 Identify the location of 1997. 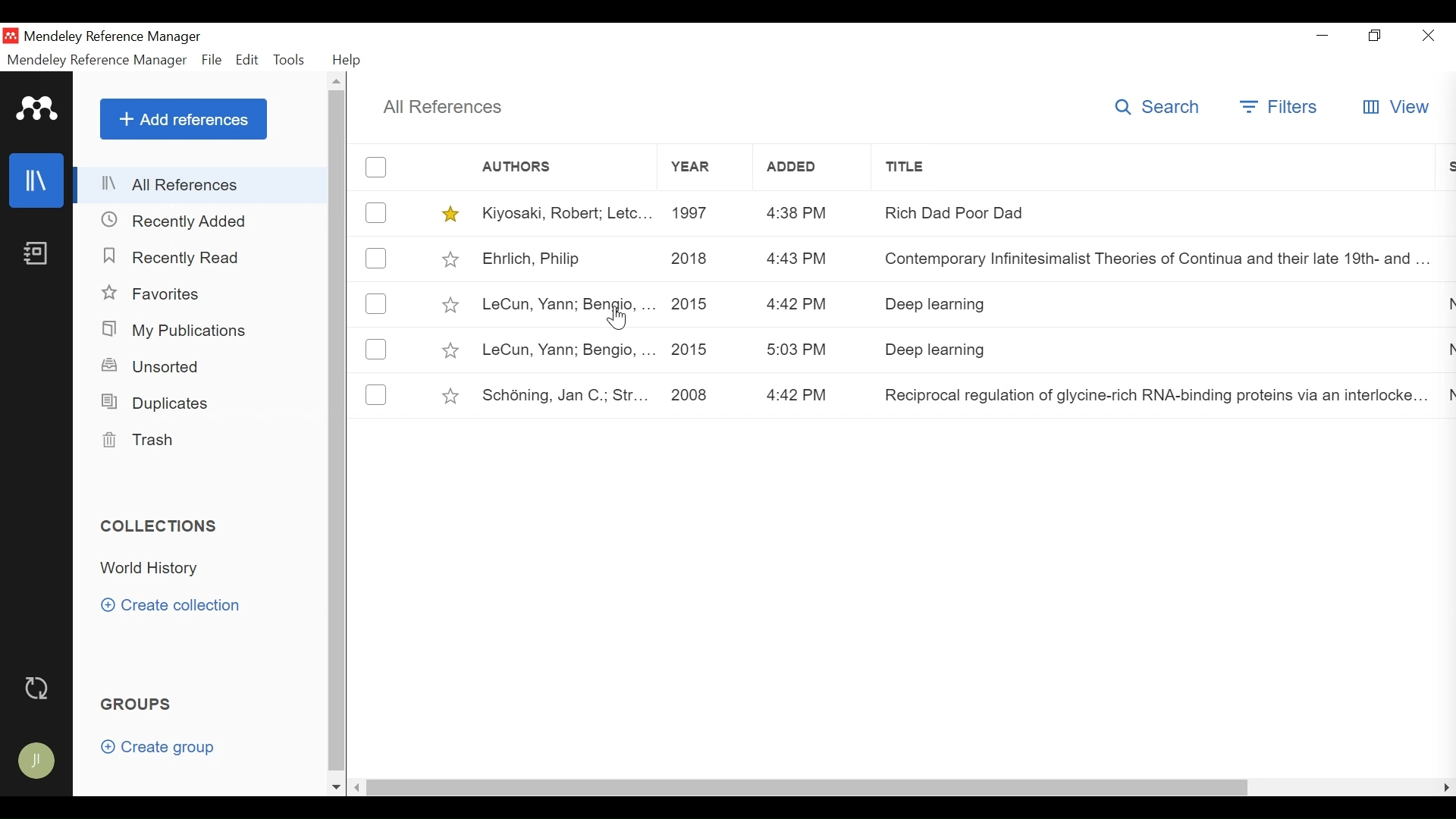
(694, 212).